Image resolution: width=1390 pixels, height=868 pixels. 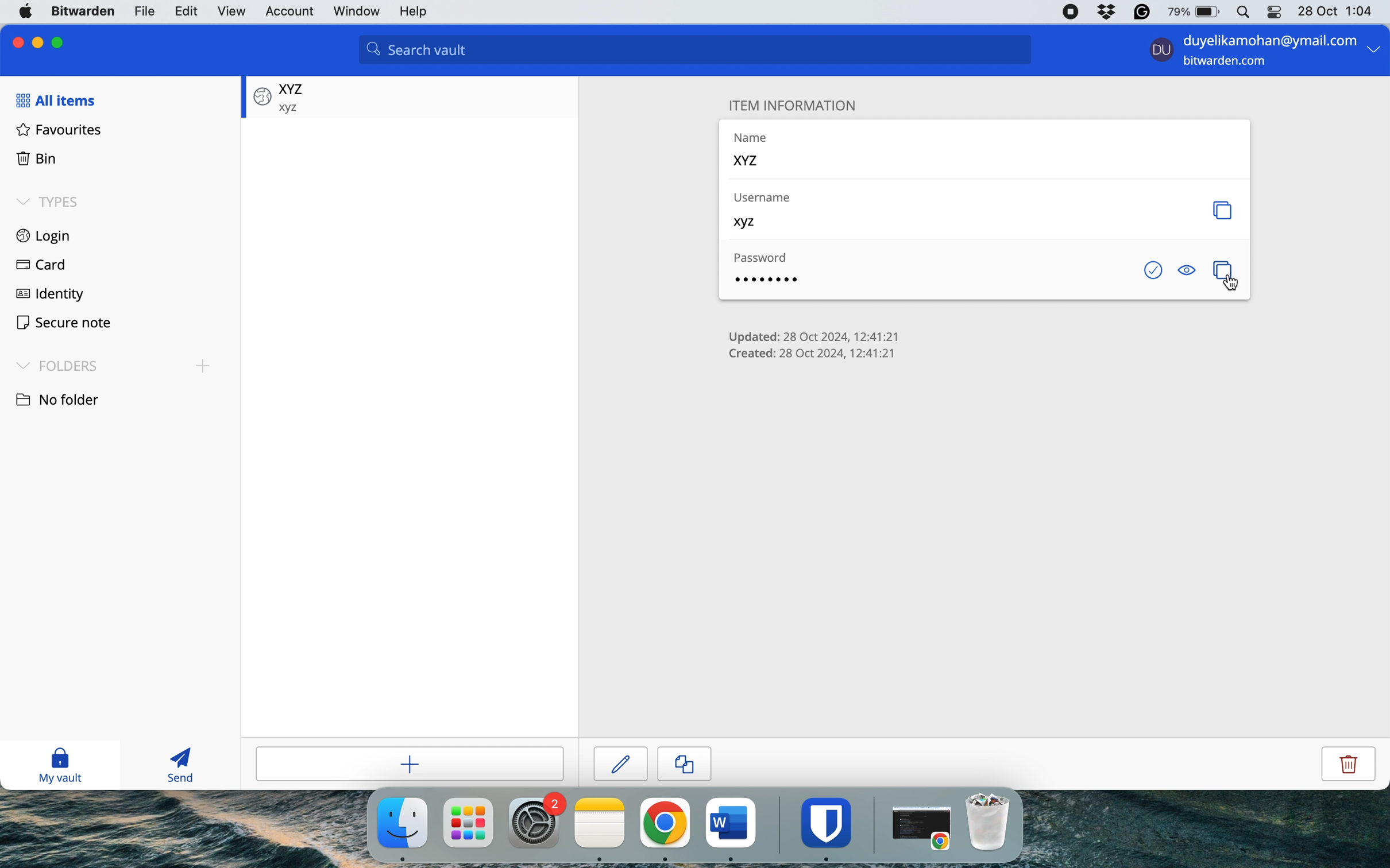 I want to click on system logo, so click(x=28, y=10).